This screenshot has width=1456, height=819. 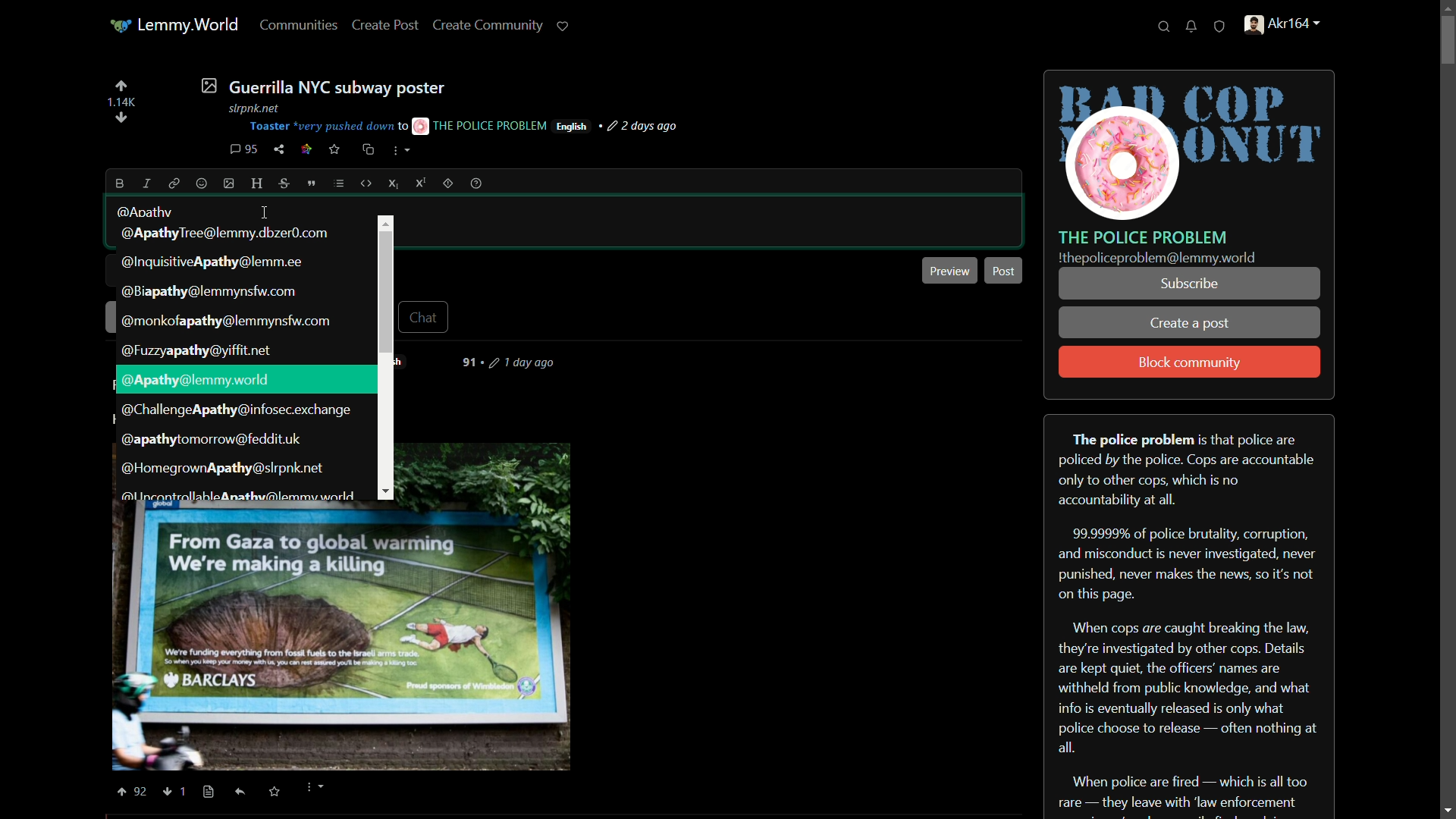 I want to click on italic, so click(x=145, y=183).